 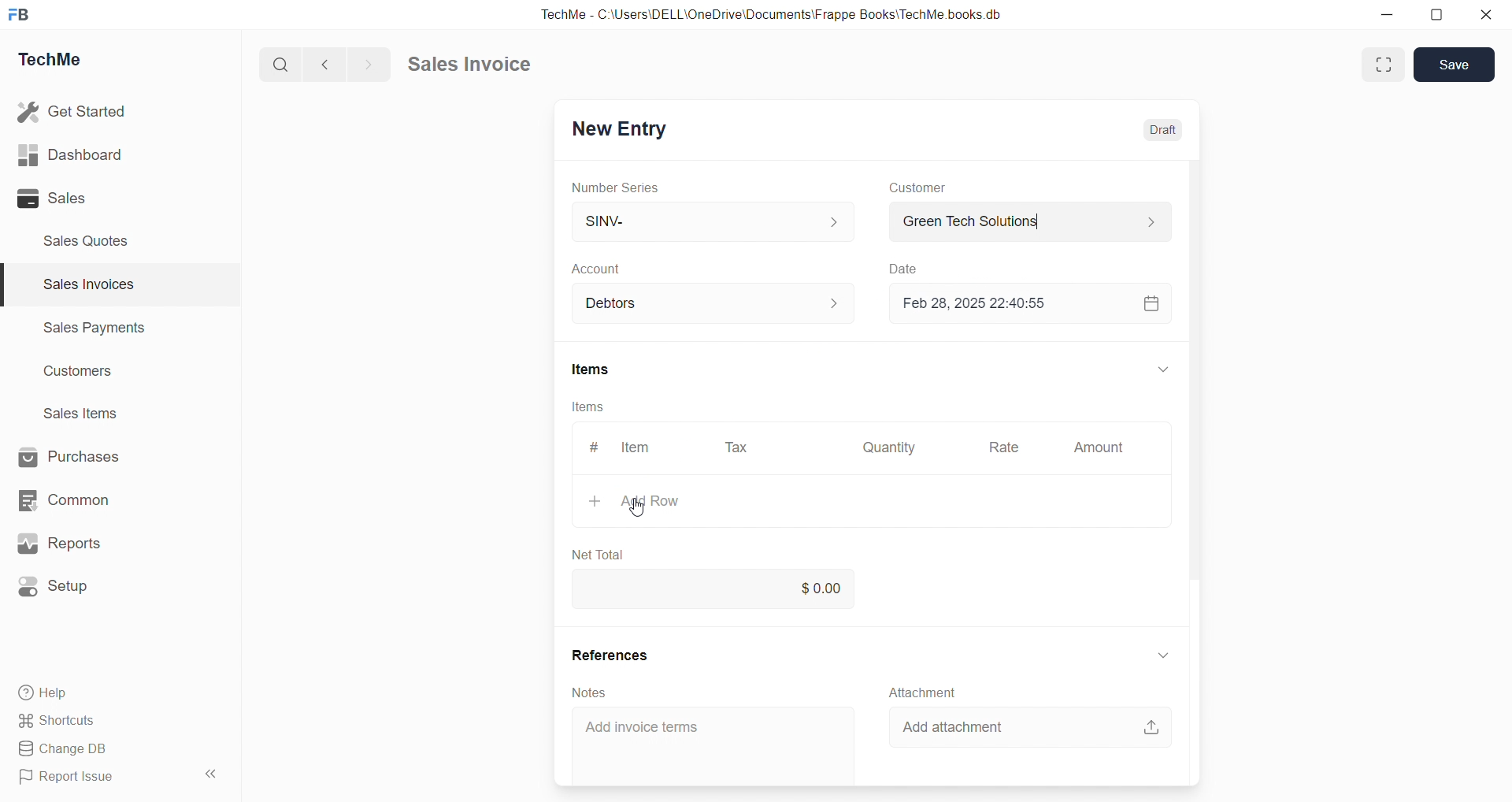 I want to click on search, so click(x=278, y=65).